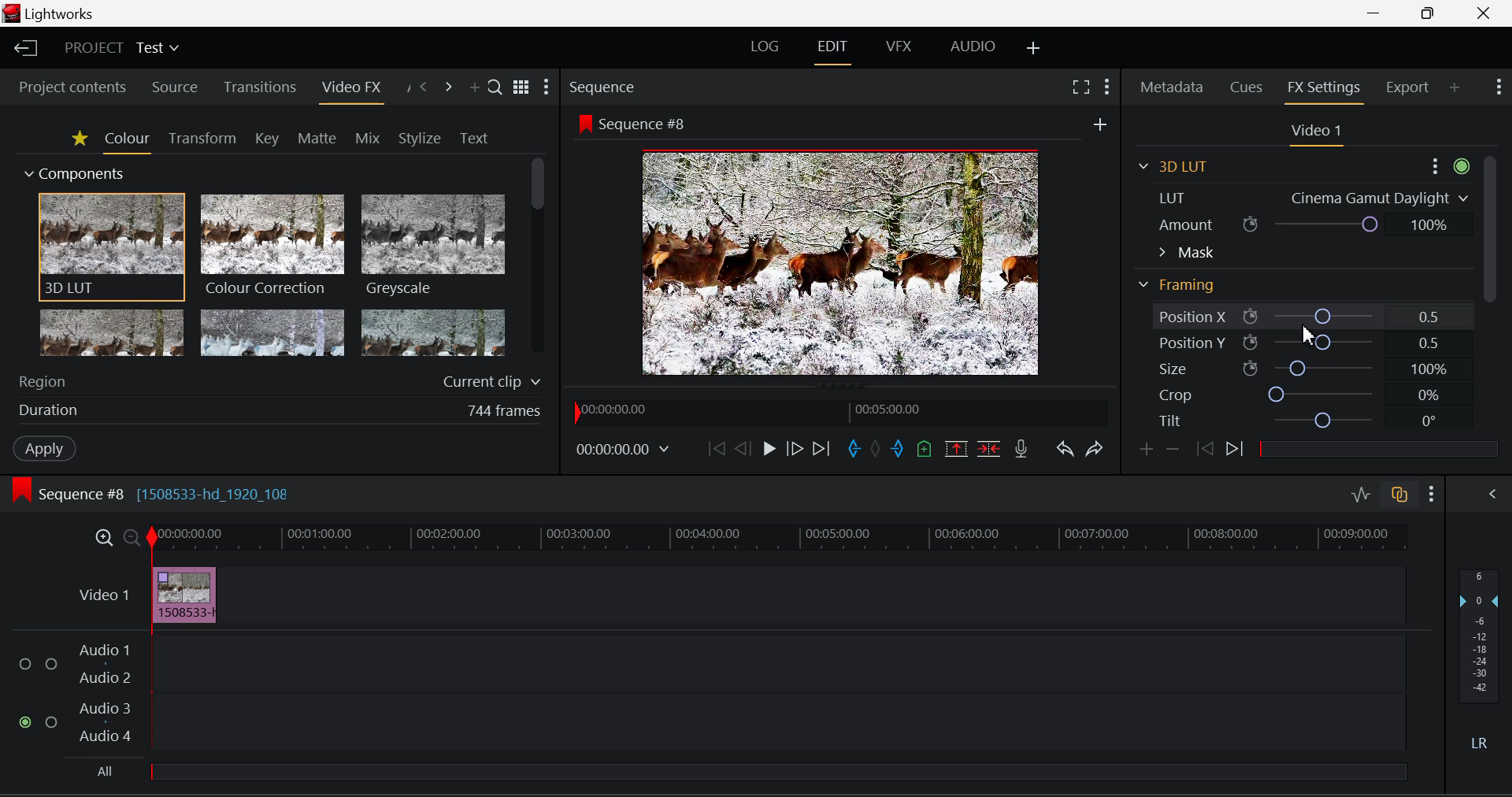  Describe the element at coordinates (273, 334) in the screenshot. I see `Mosaic` at that location.